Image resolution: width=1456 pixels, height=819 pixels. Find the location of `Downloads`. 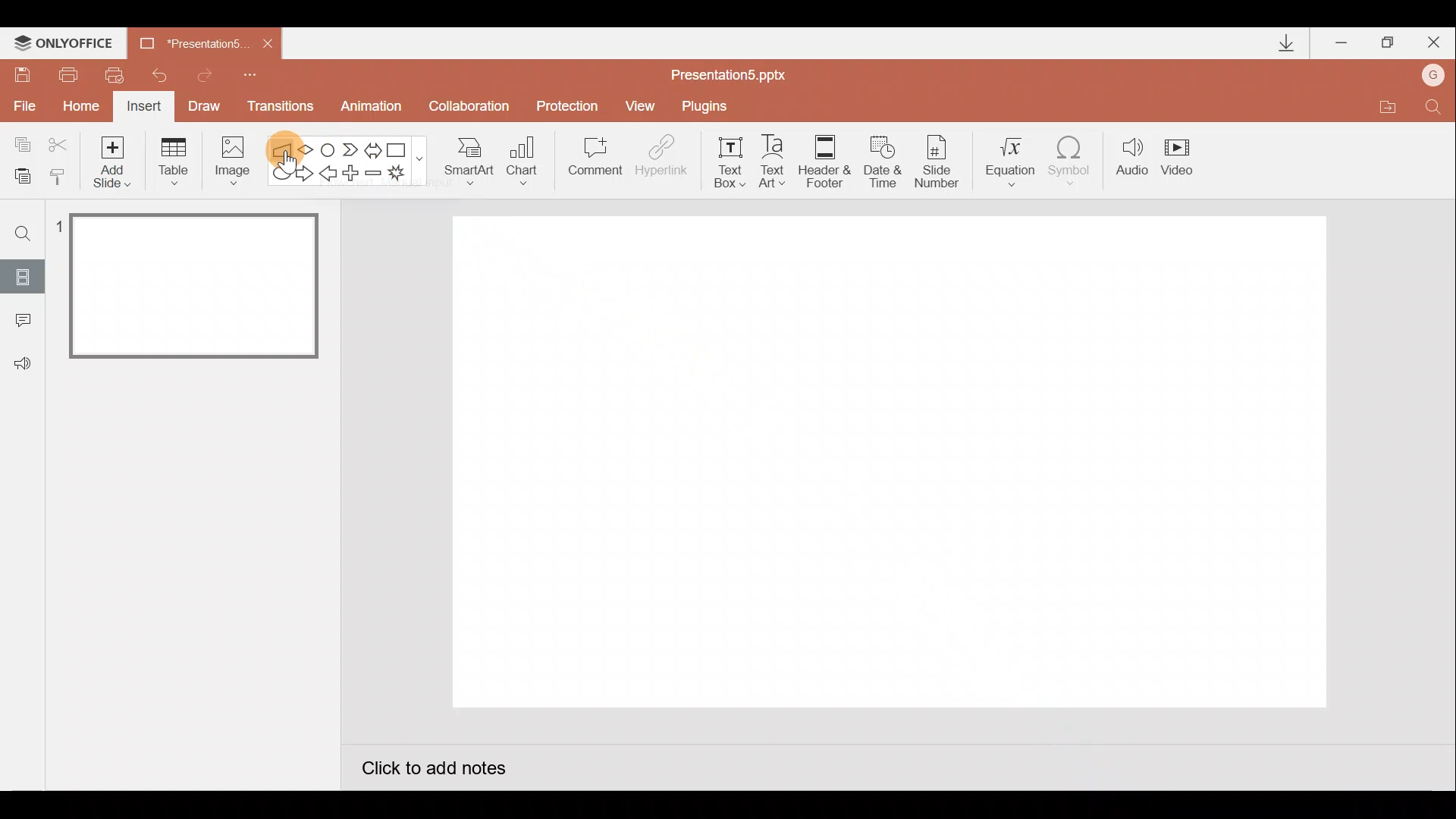

Downloads is located at coordinates (1284, 44).